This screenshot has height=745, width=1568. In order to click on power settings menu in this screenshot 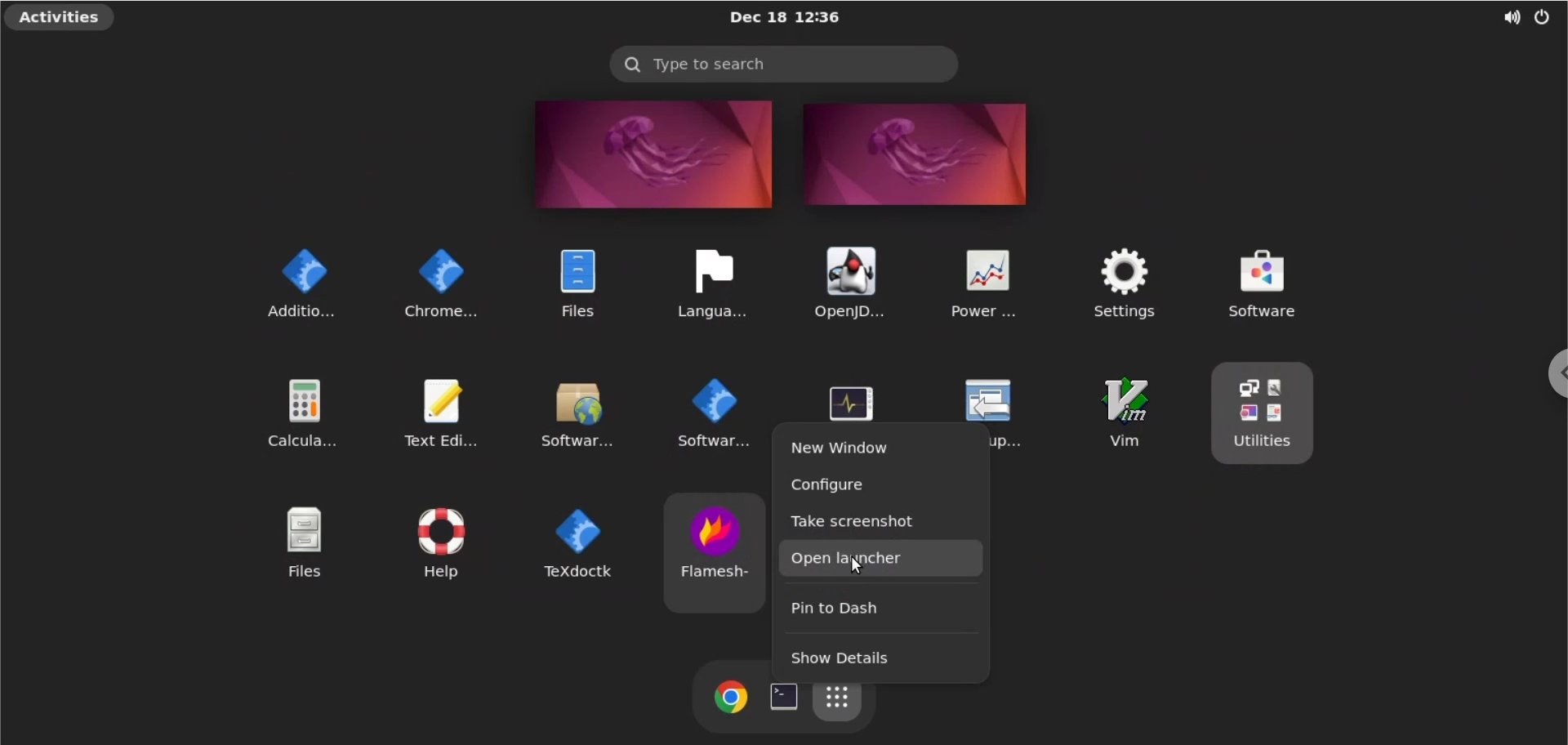, I will do `click(1544, 16)`.